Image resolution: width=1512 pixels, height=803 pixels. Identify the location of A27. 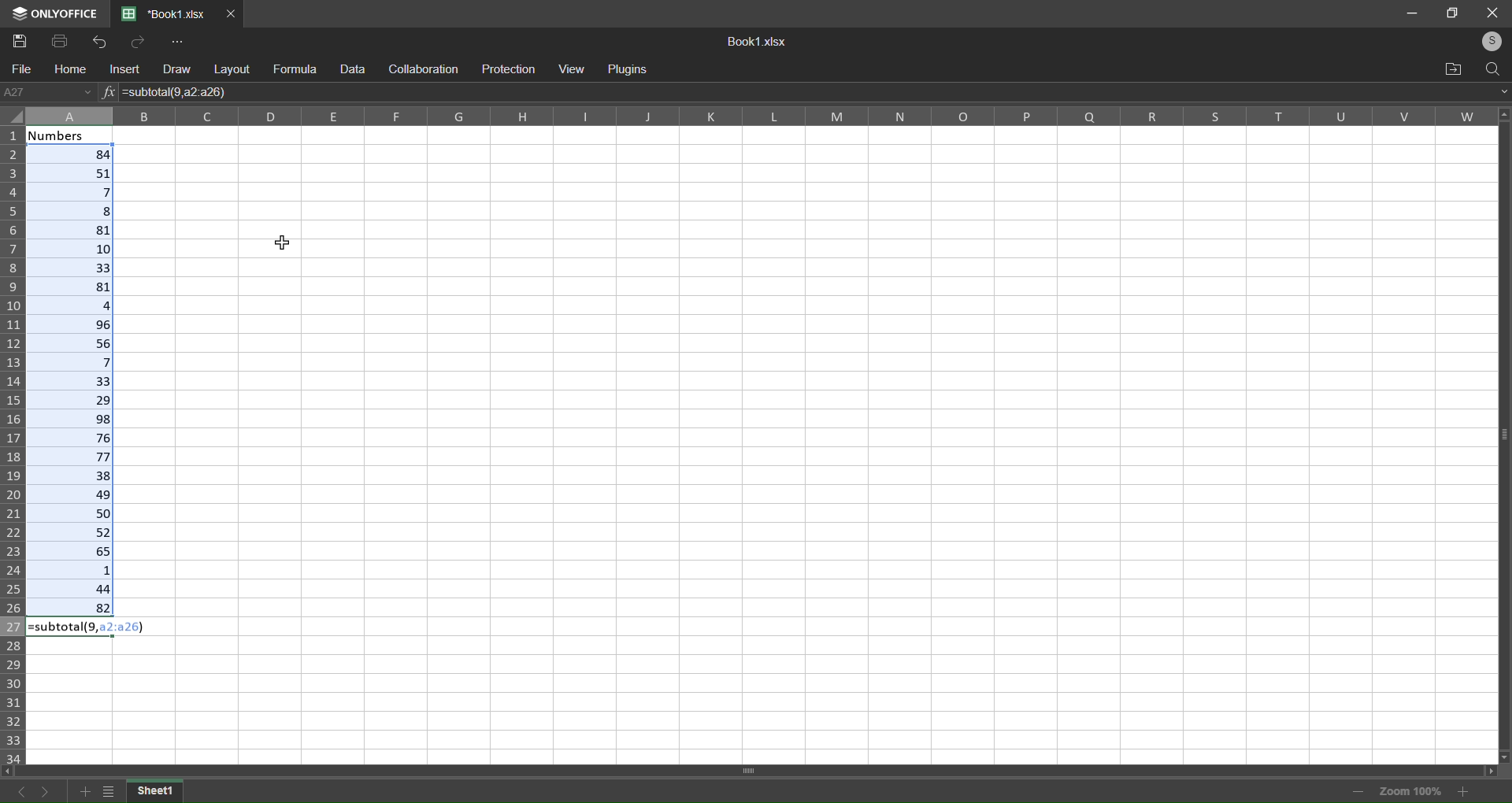
(50, 91).